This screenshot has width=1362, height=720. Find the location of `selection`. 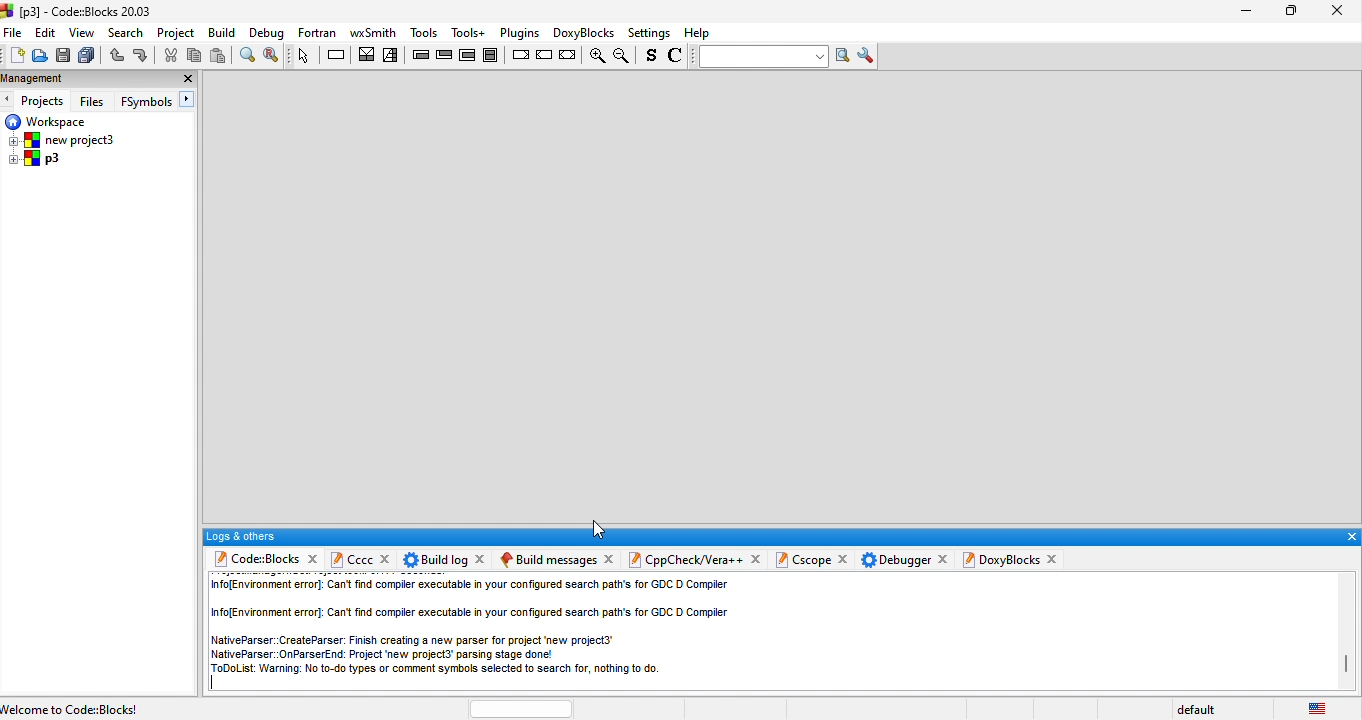

selection is located at coordinates (392, 56).